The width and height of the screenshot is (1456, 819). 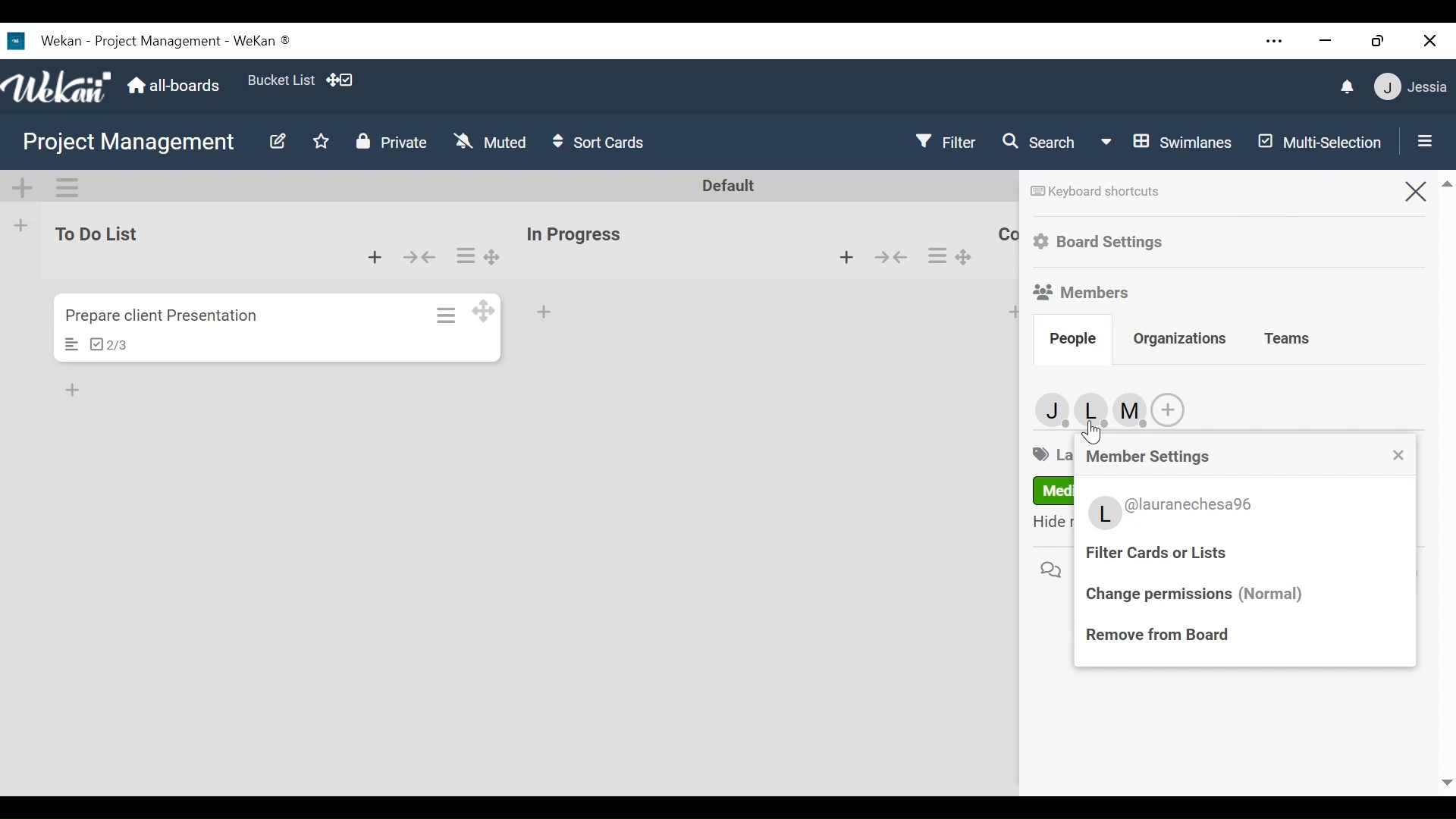 I want to click on Filter cards or list, so click(x=1164, y=554).